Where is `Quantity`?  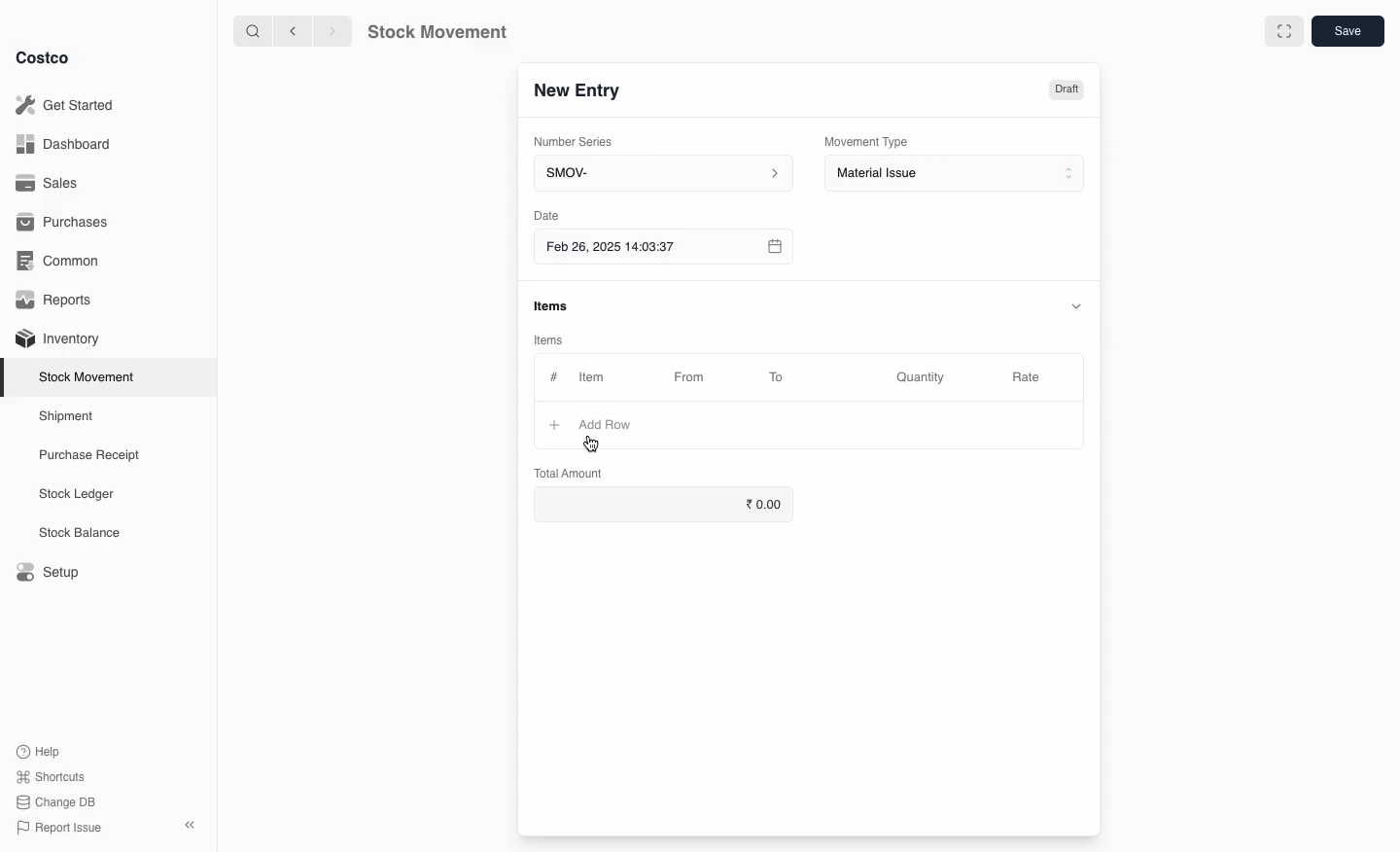
Quantity is located at coordinates (924, 378).